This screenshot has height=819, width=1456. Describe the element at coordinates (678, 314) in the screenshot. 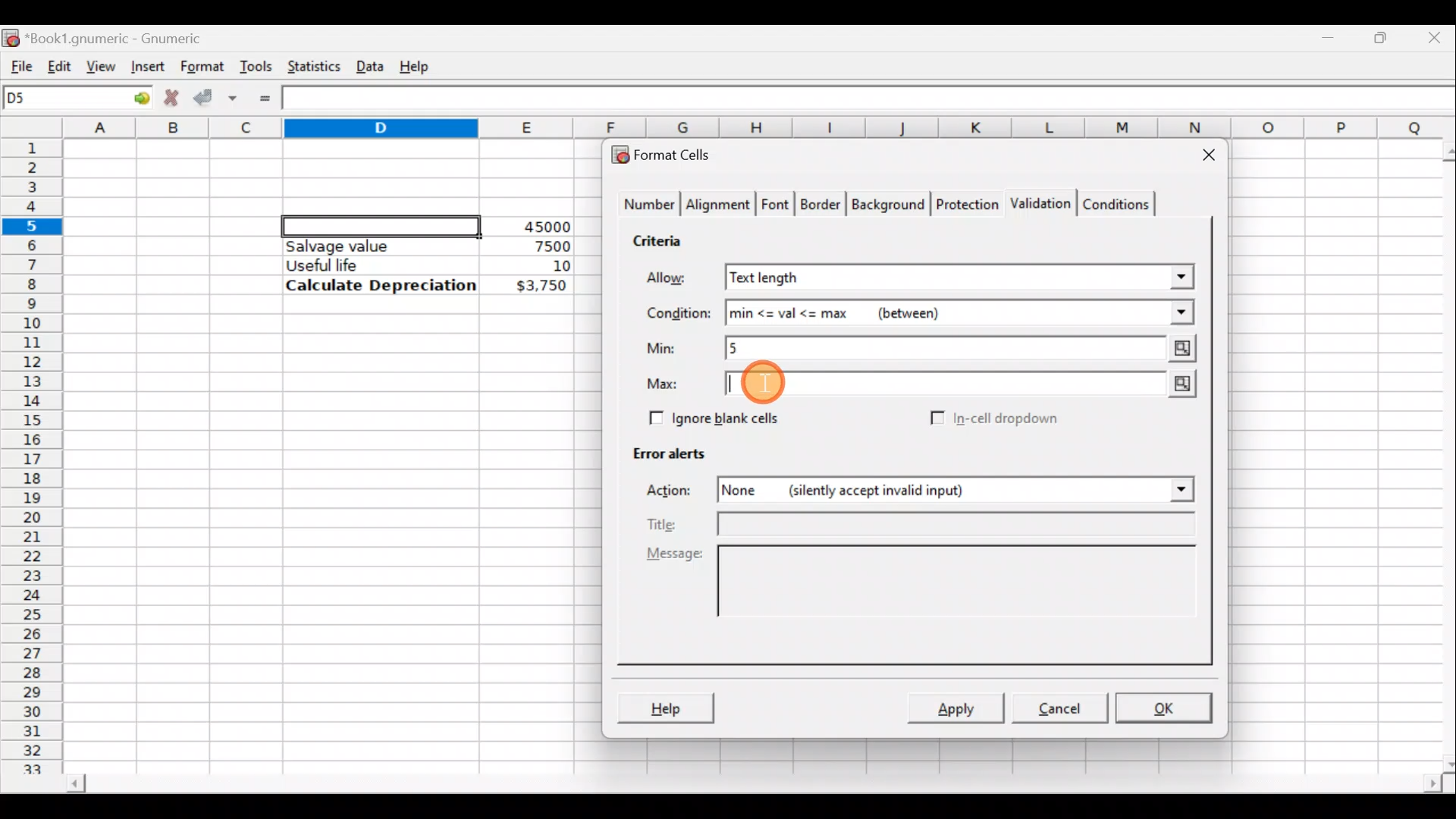

I see `Condition` at that location.